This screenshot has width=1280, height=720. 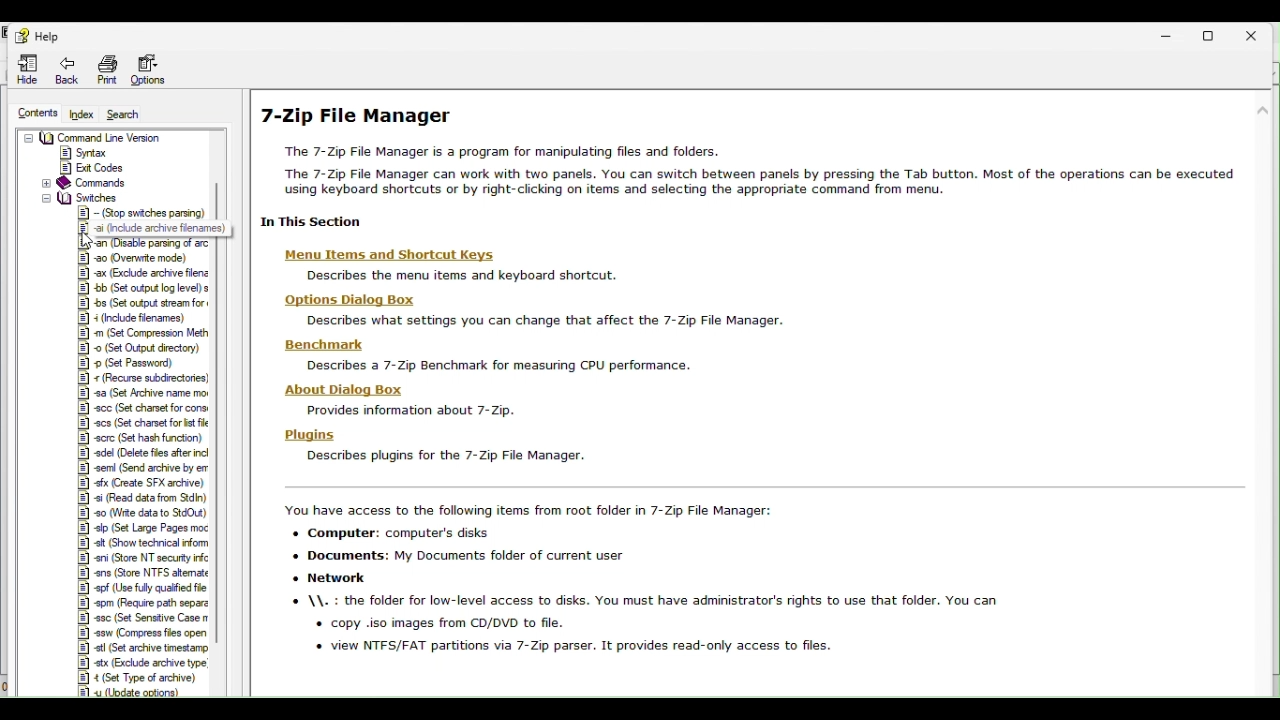 What do you see at coordinates (144, 617) in the screenshot?
I see `SSC (set Senstive case` at bounding box center [144, 617].